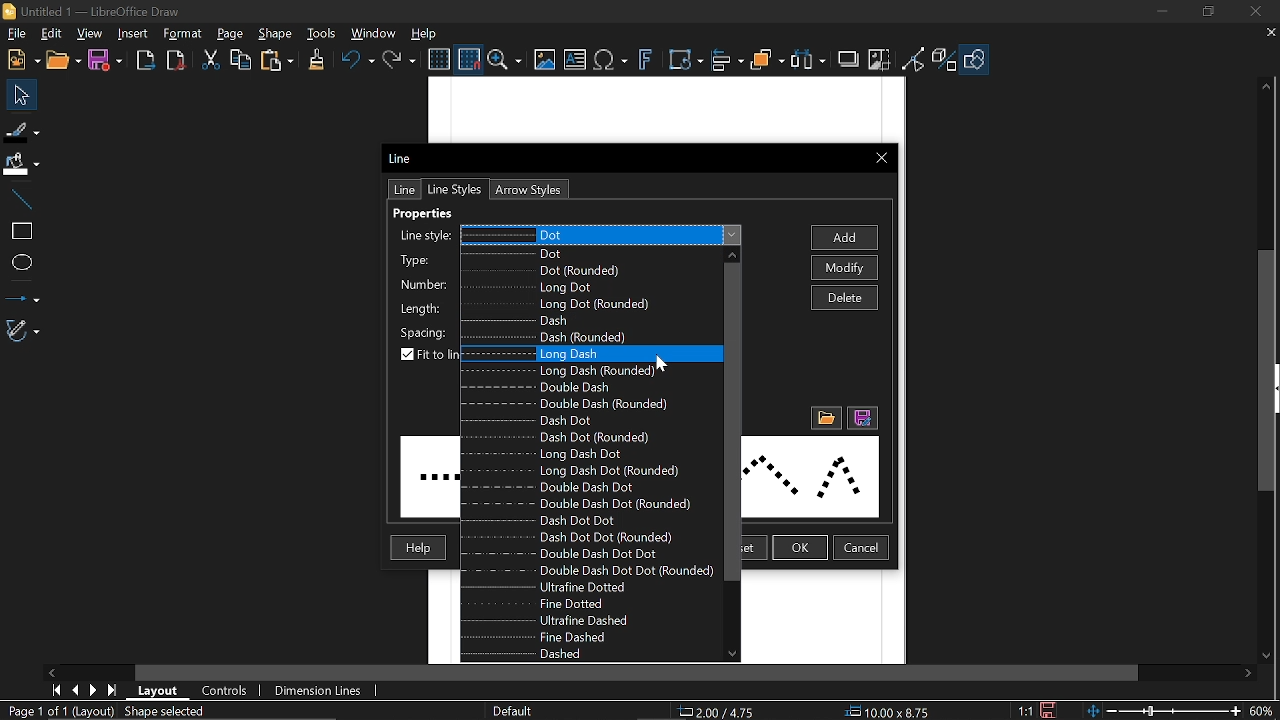 The image size is (1280, 720). I want to click on Shadow, so click(848, 59).